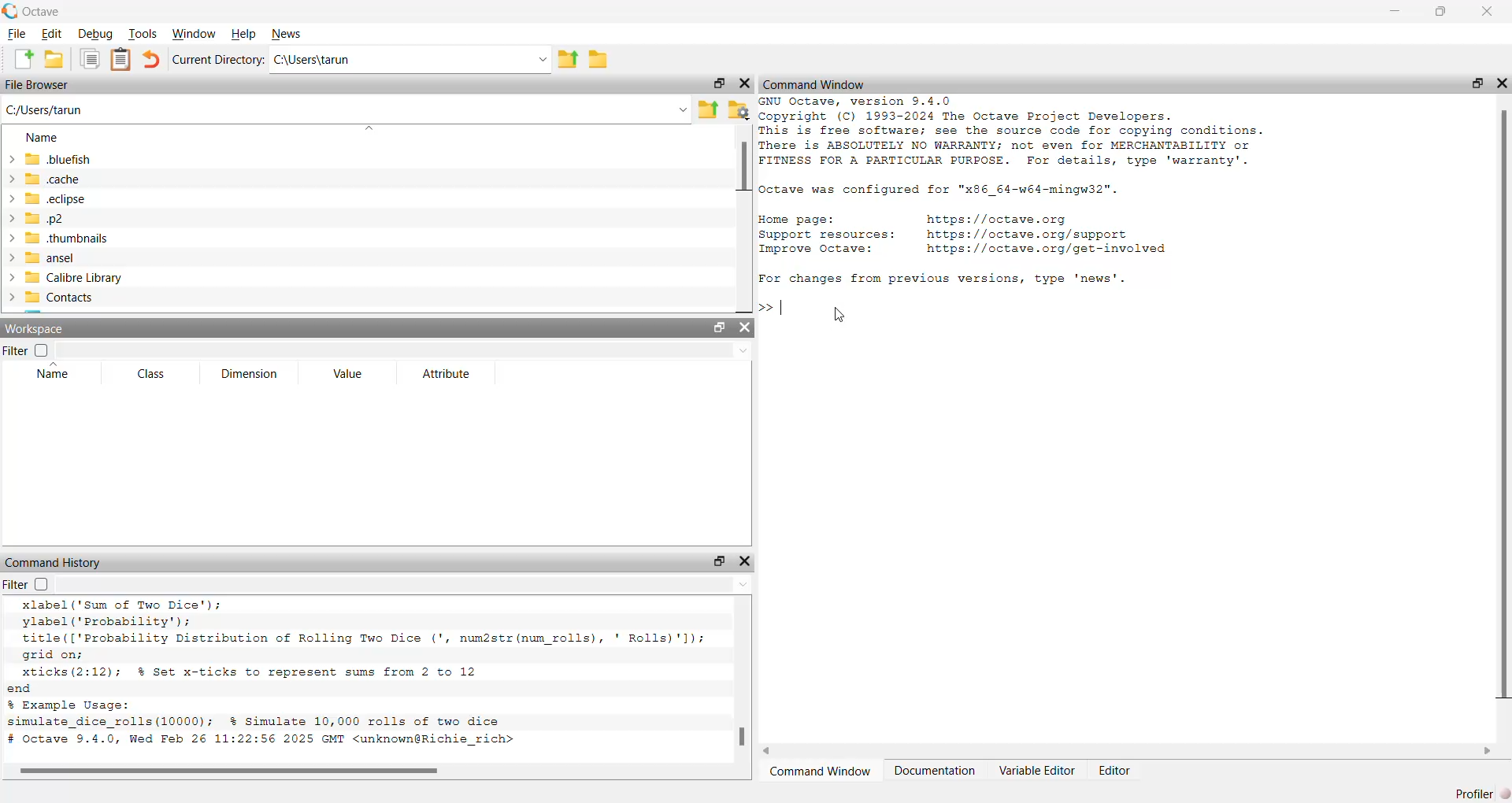 The width and height of the screenshot is (1512, 803). I want to click on Folder upload, so click(708, 110).